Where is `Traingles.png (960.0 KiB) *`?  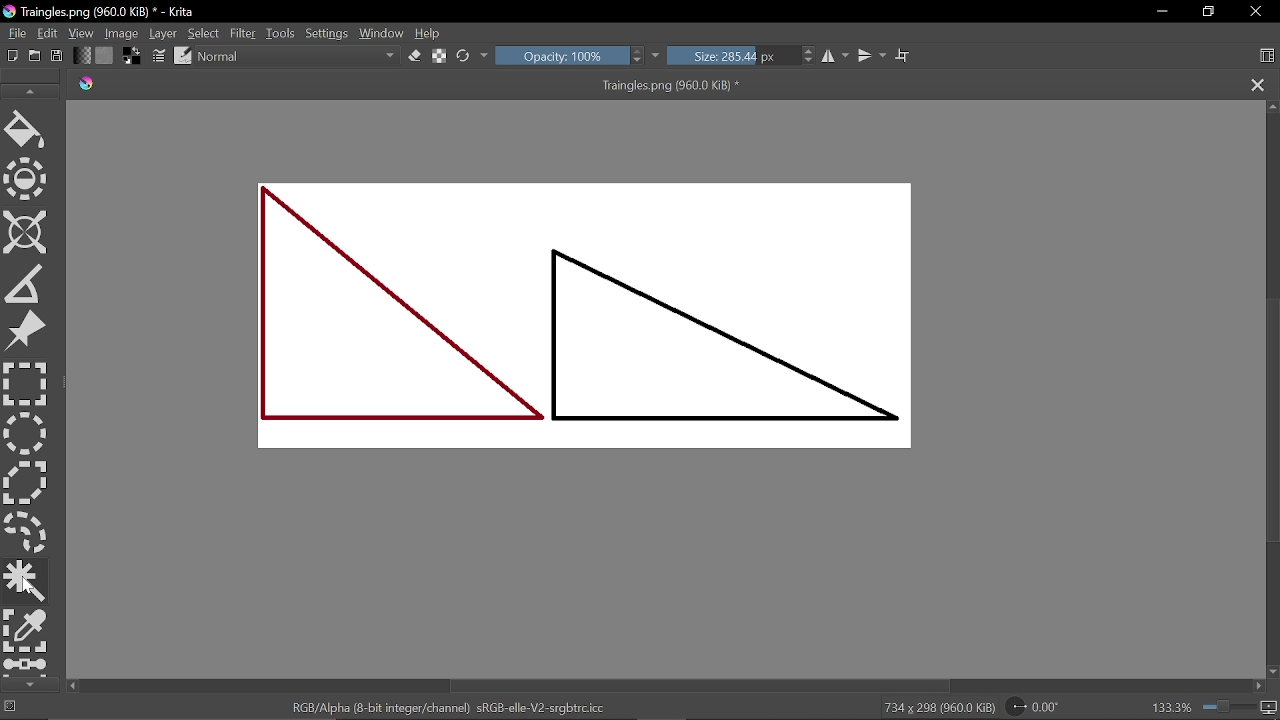 Traingles.png (960.0 KiB) * is located at coordinates (672, 85).